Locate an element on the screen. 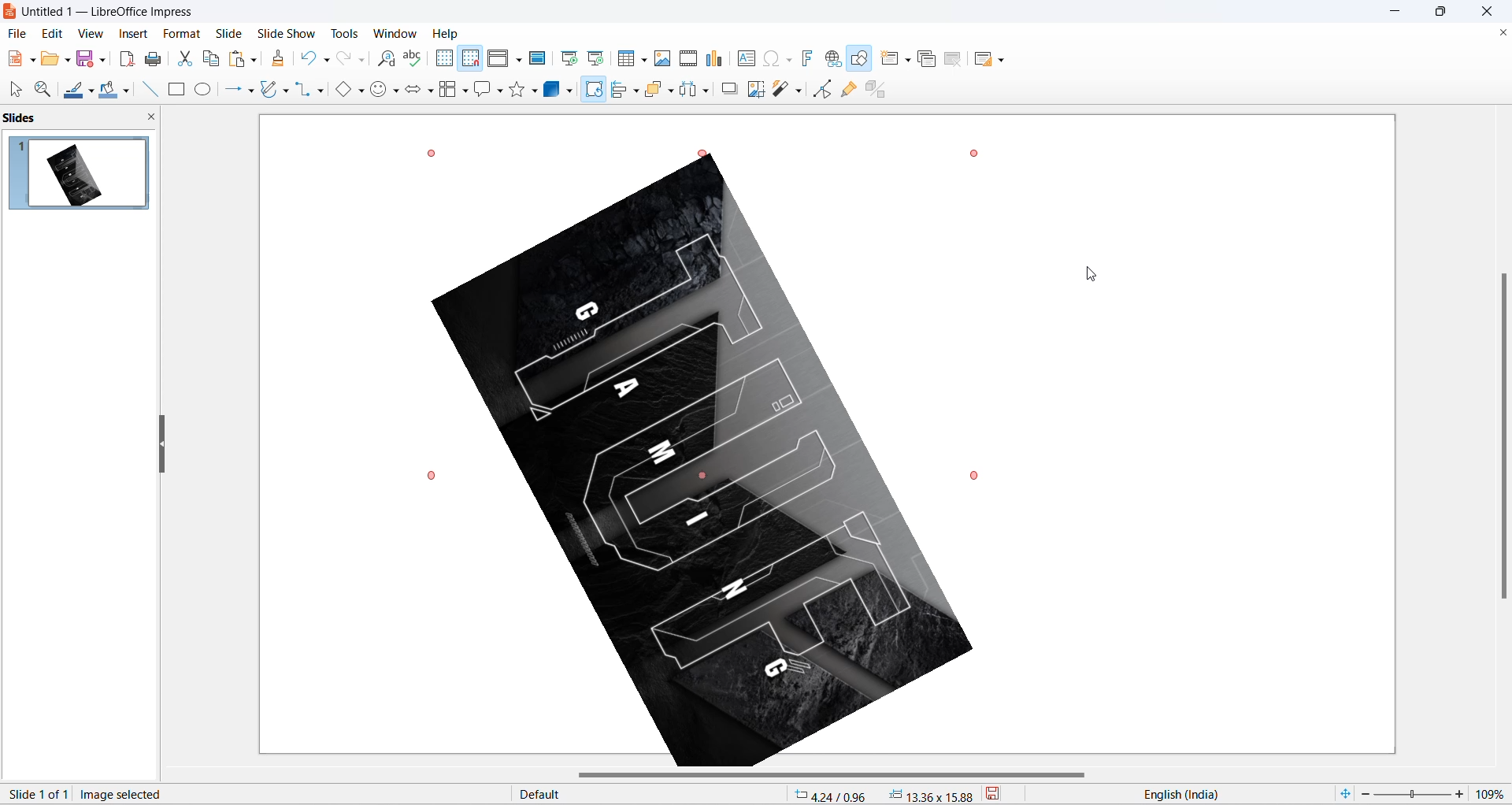 The height and width of the screenshot is (805, 1512). insert charts is located at coordinates (715, 59).